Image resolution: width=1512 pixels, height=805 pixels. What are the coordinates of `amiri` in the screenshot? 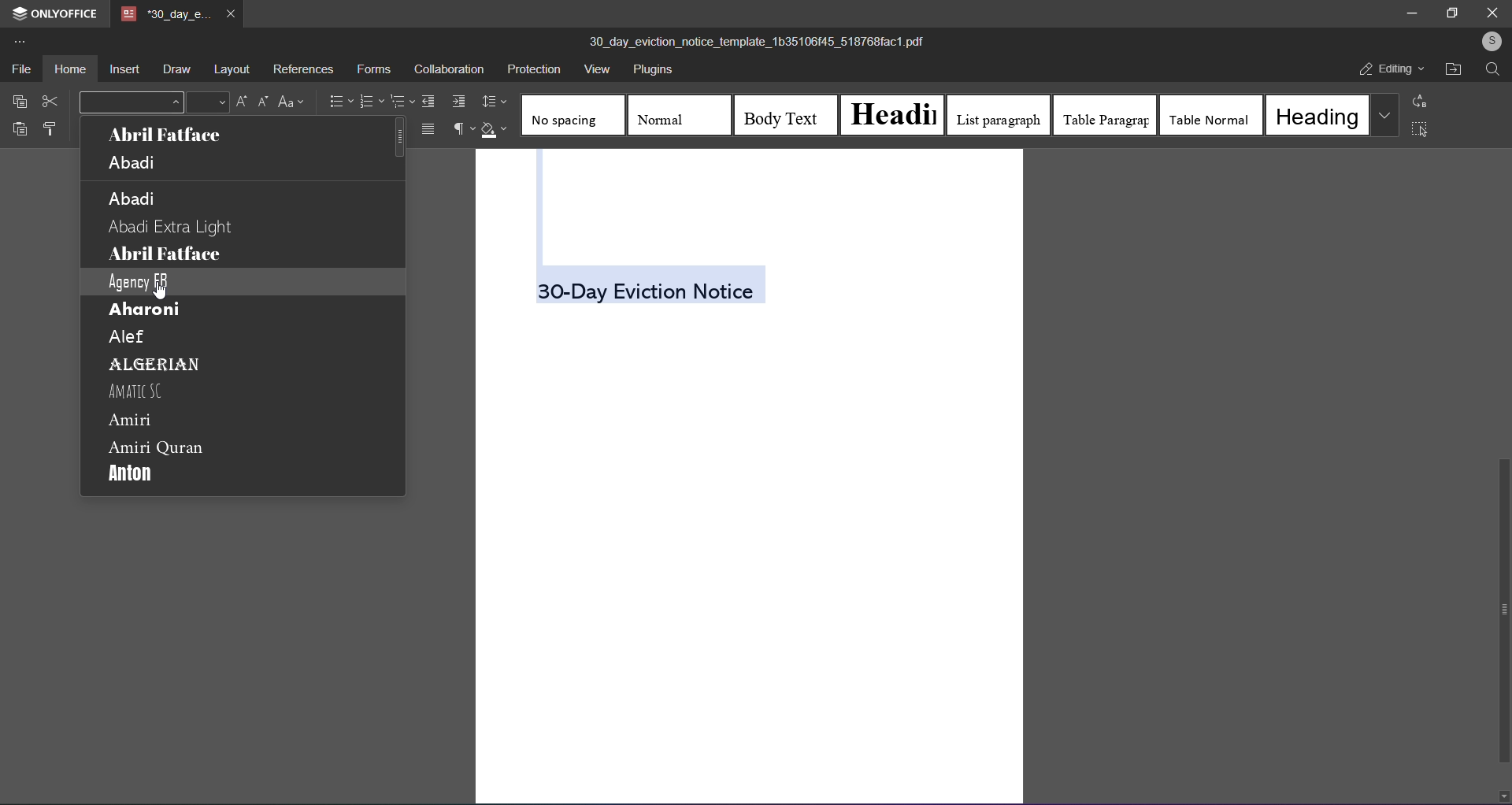 It's located at (132, 423).